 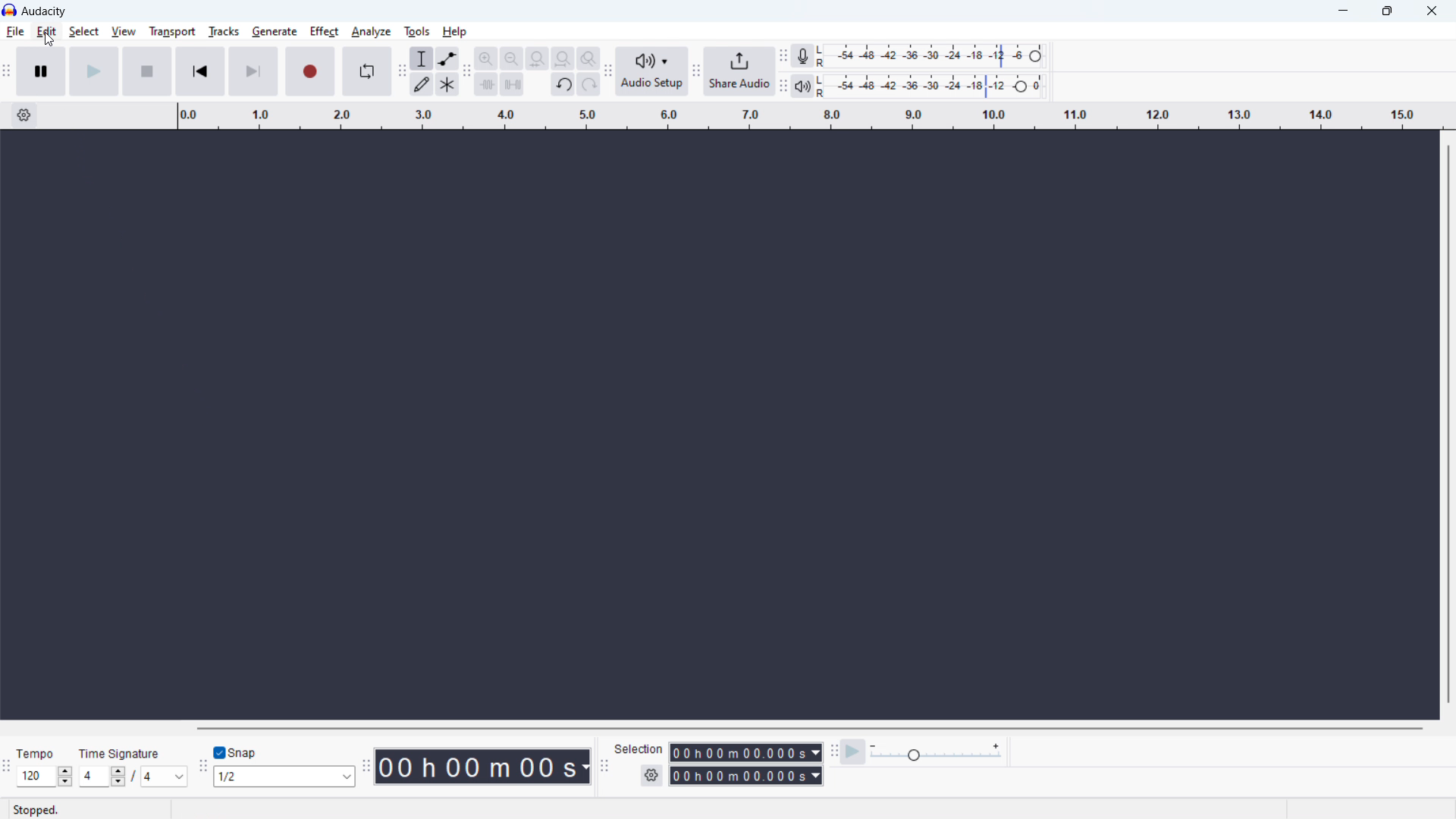 I want to click on recording meter, so click(x=803, y=55).